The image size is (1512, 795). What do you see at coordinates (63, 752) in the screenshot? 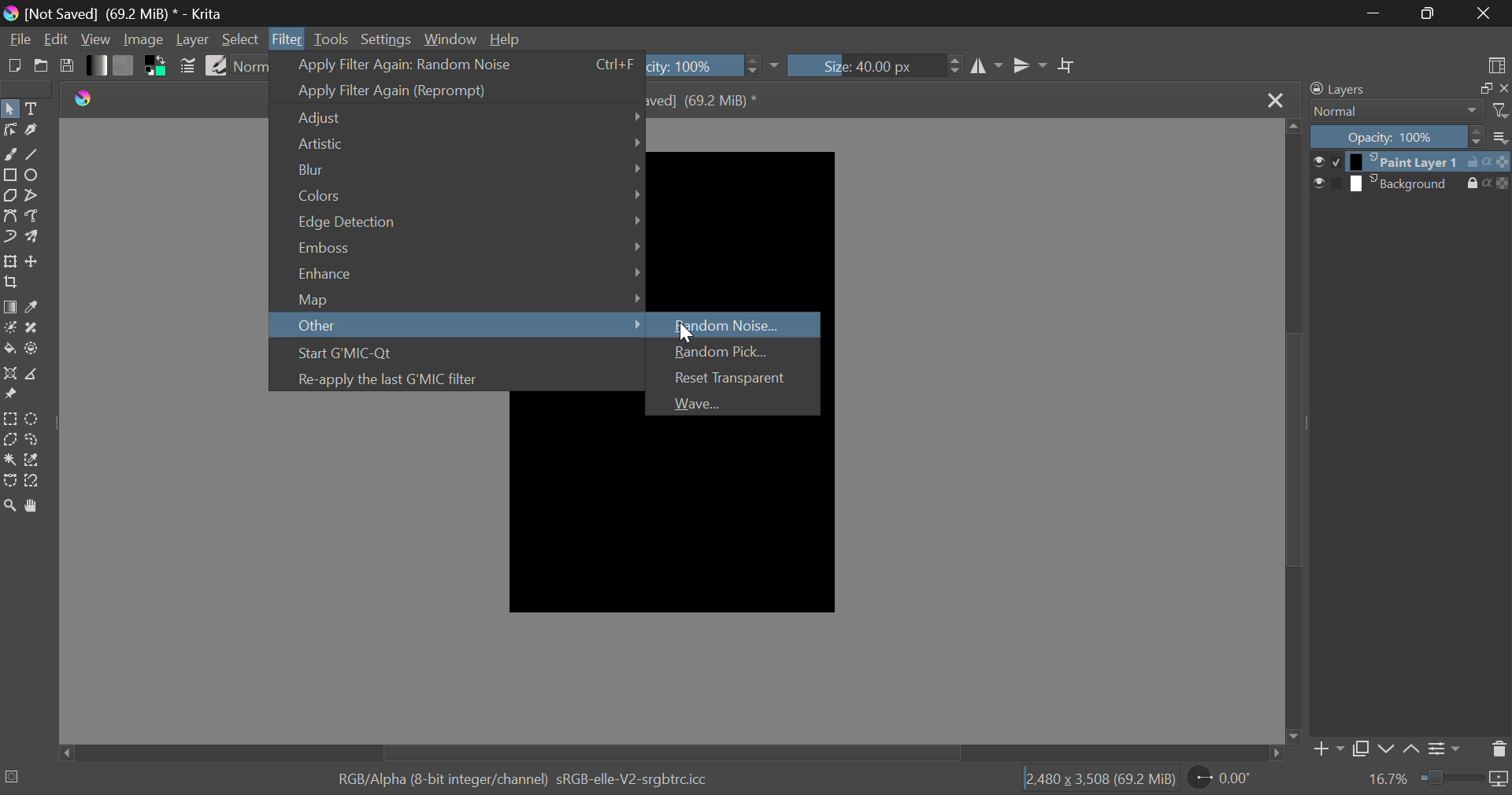
I see `move left` at bounding box center [63, 752].